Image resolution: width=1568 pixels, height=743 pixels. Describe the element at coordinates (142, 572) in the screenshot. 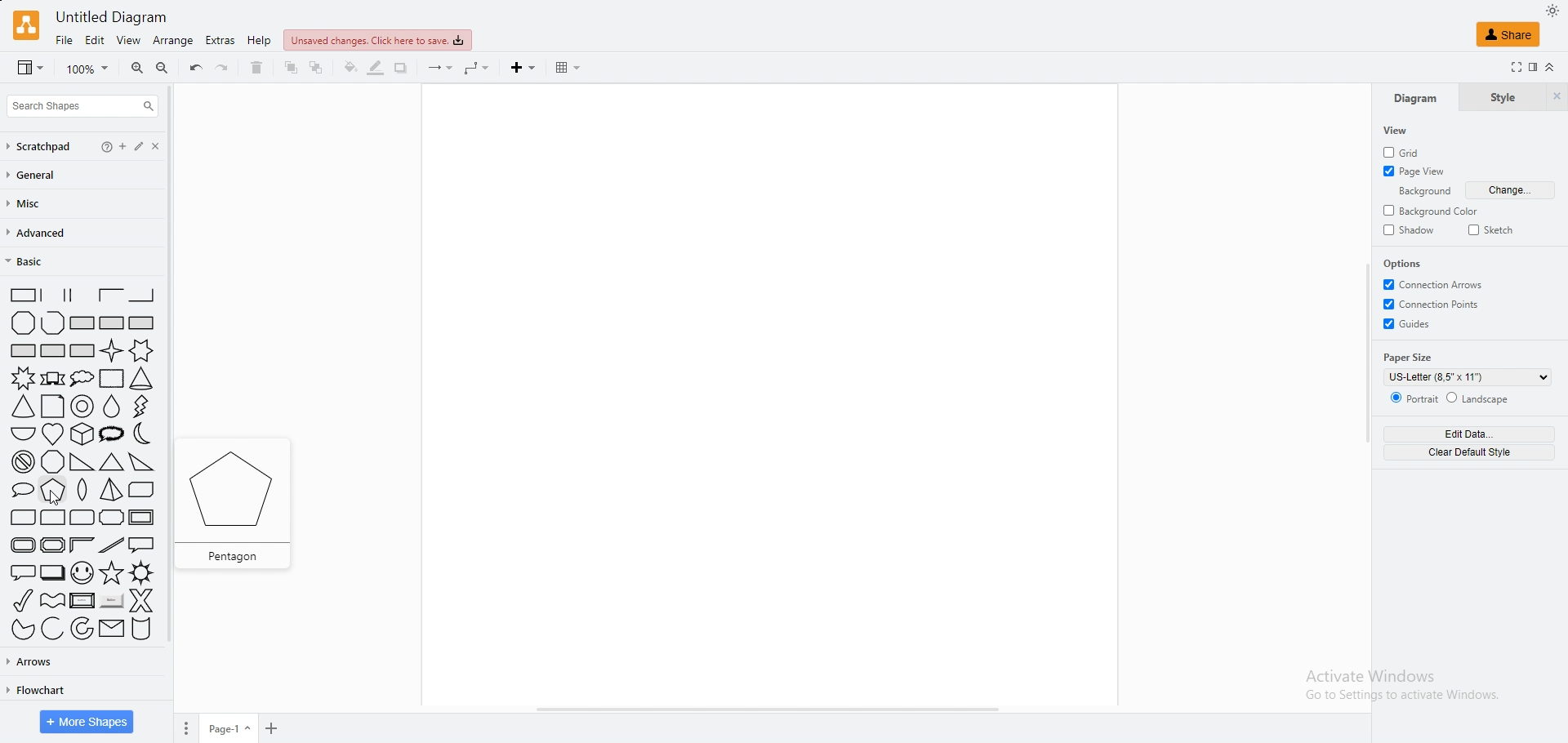

I see `sun` at that location.